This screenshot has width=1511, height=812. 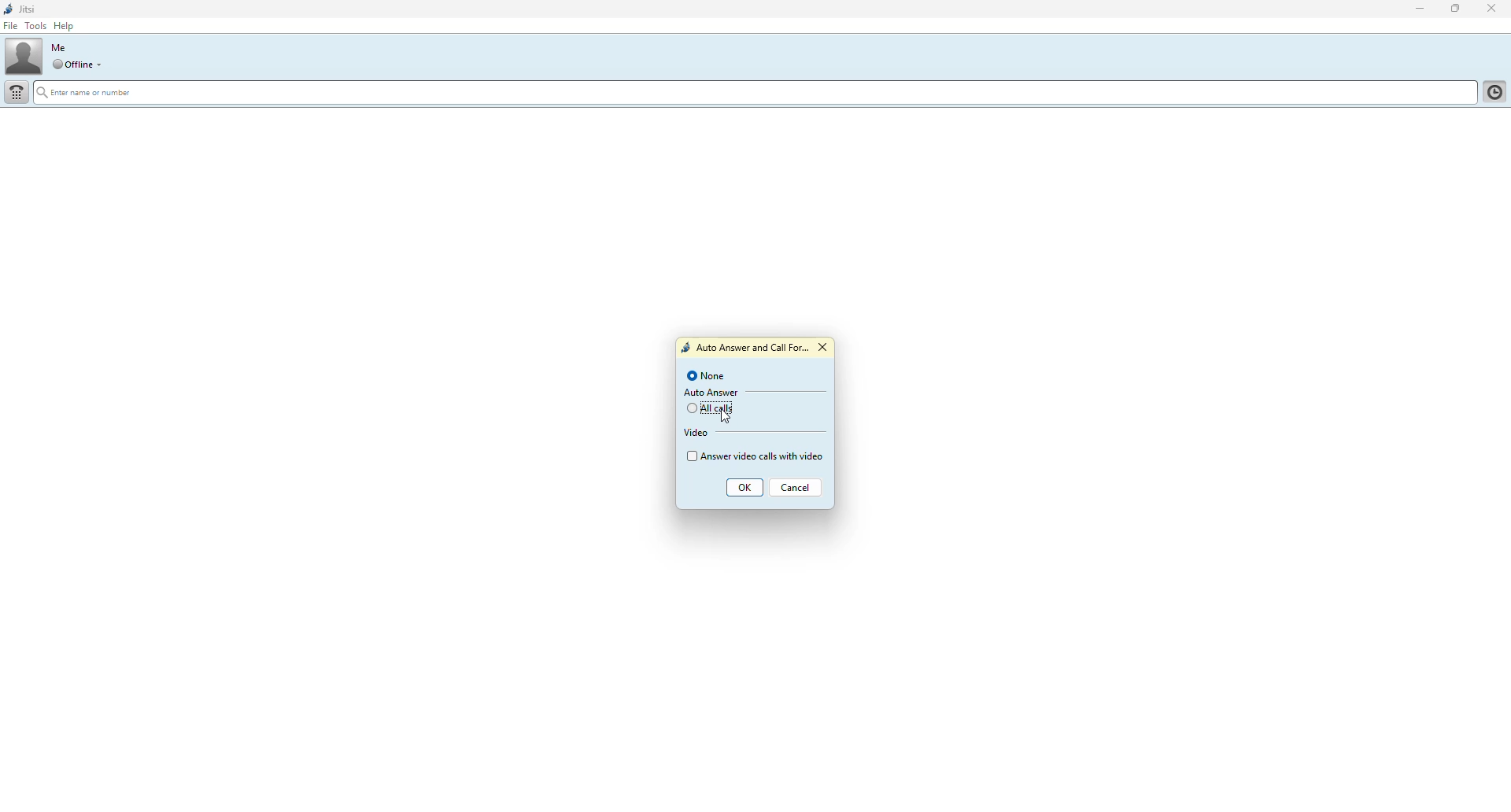 What do you see at coordinates (103, 65) in the screenshot?
I see `drop down` at bounding box center [103, 65].